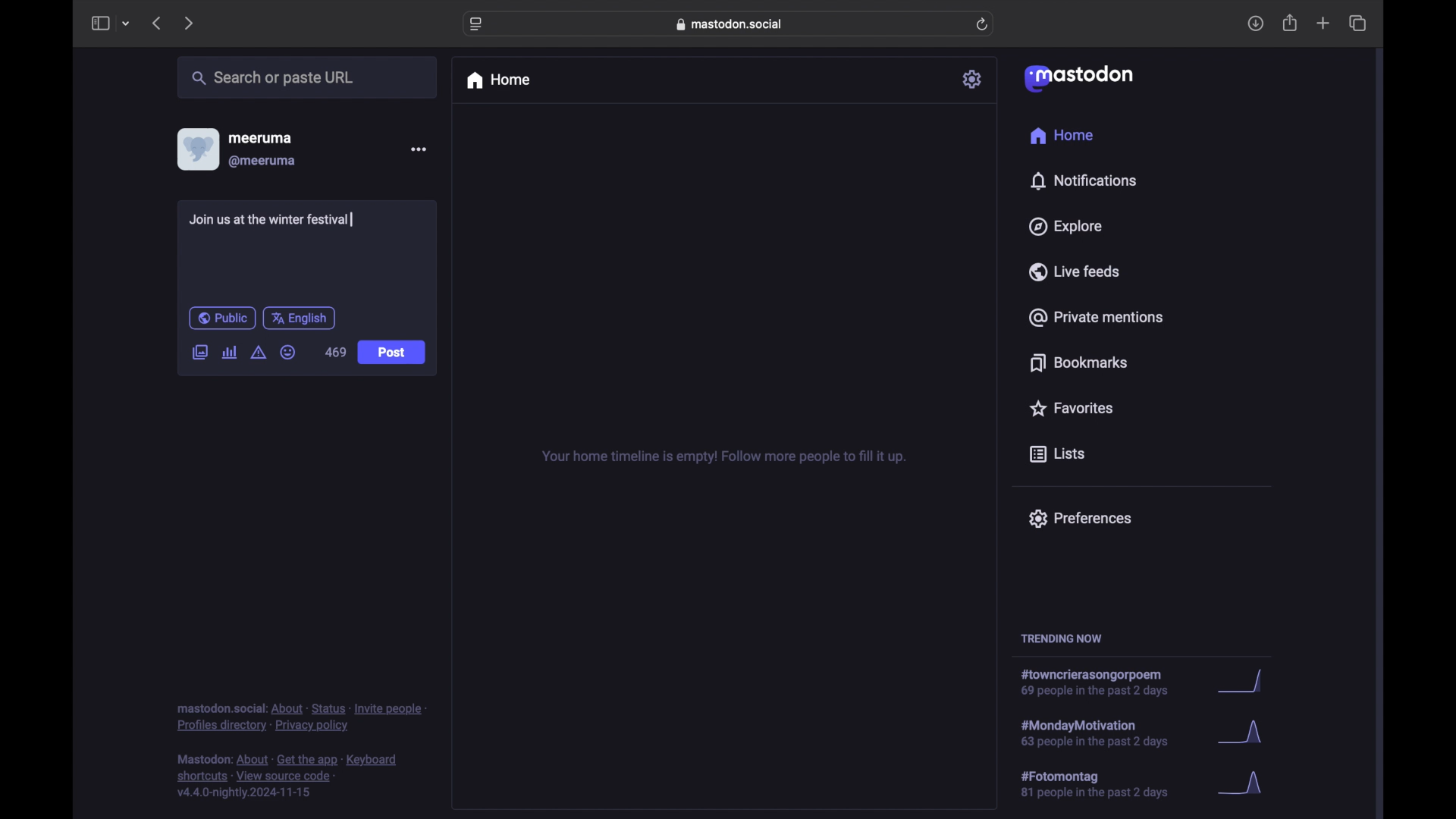 This screenshot has width=1456, height=819. I want to click on trending now, so click(1061, 639).